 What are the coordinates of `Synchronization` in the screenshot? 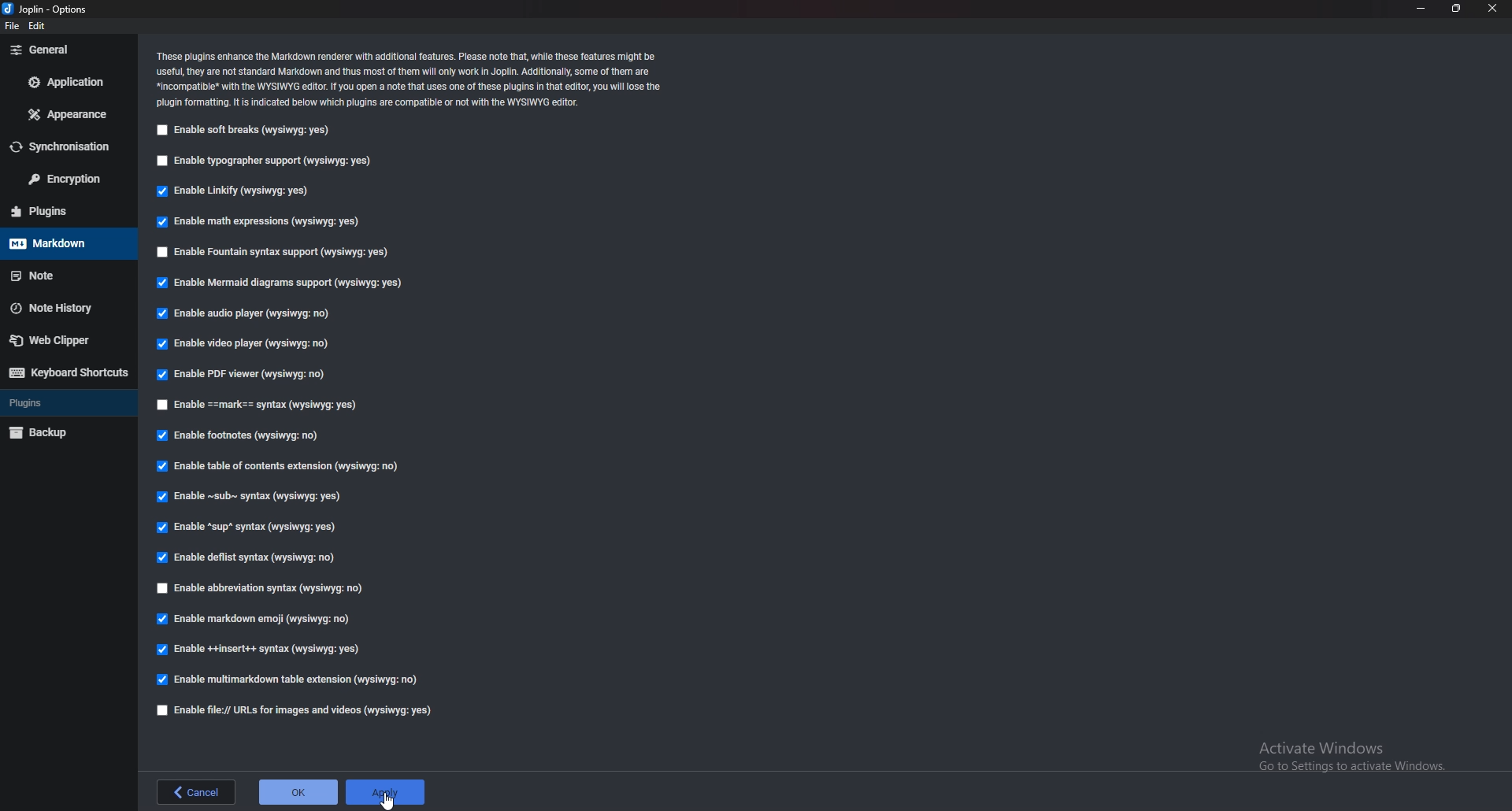 It's located at (63, 146).